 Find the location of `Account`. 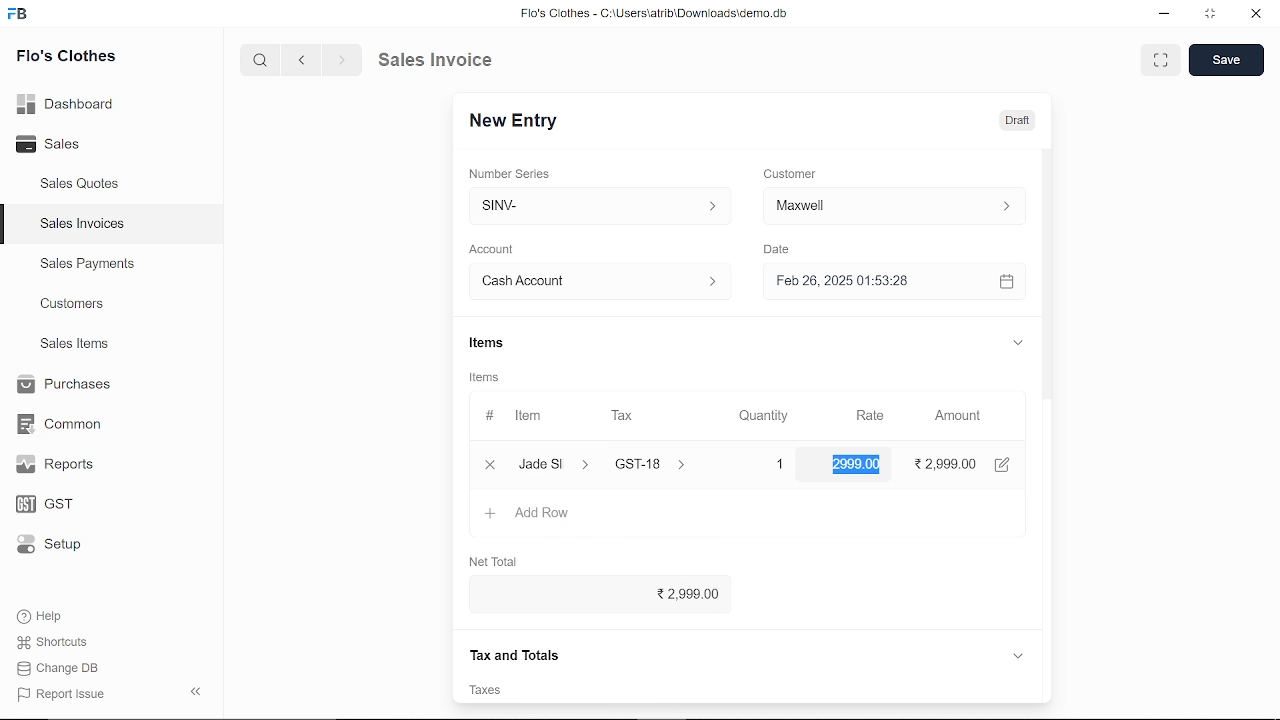

Account is located at coordinates (497, 250).